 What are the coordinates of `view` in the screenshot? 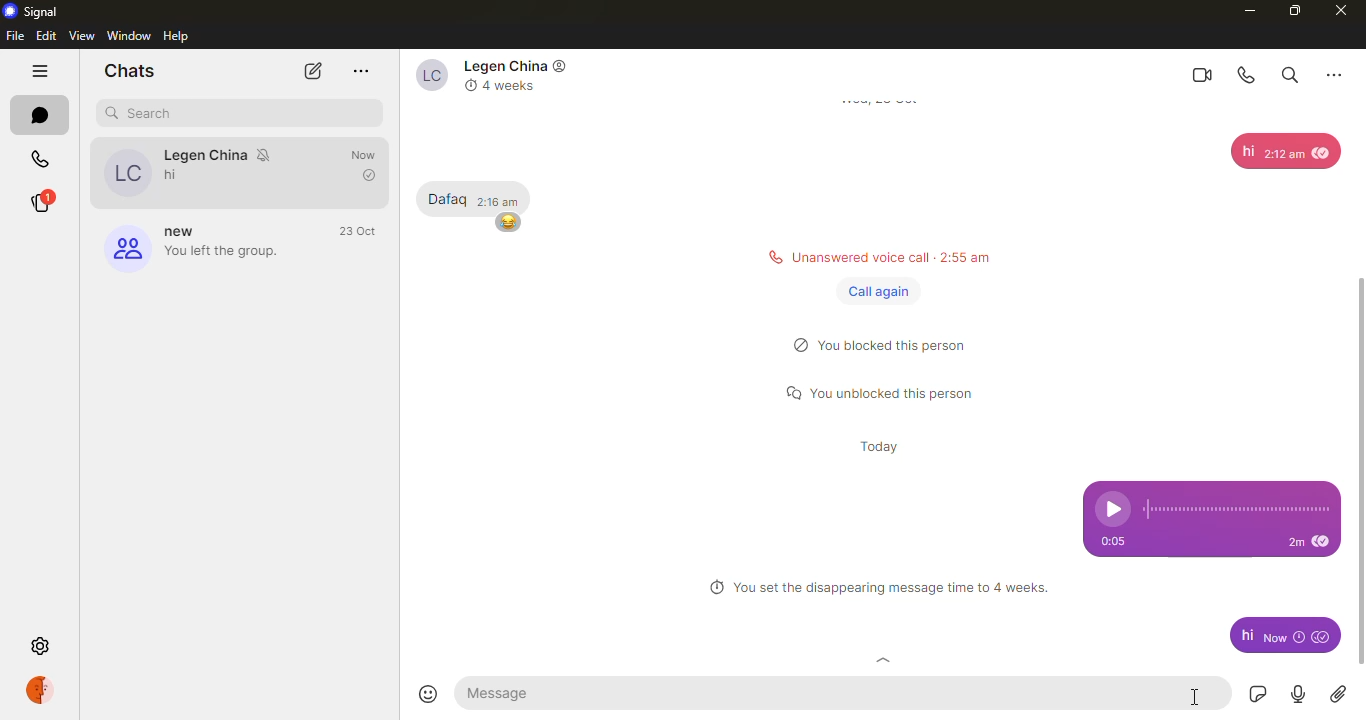 It's located at (83, 35).